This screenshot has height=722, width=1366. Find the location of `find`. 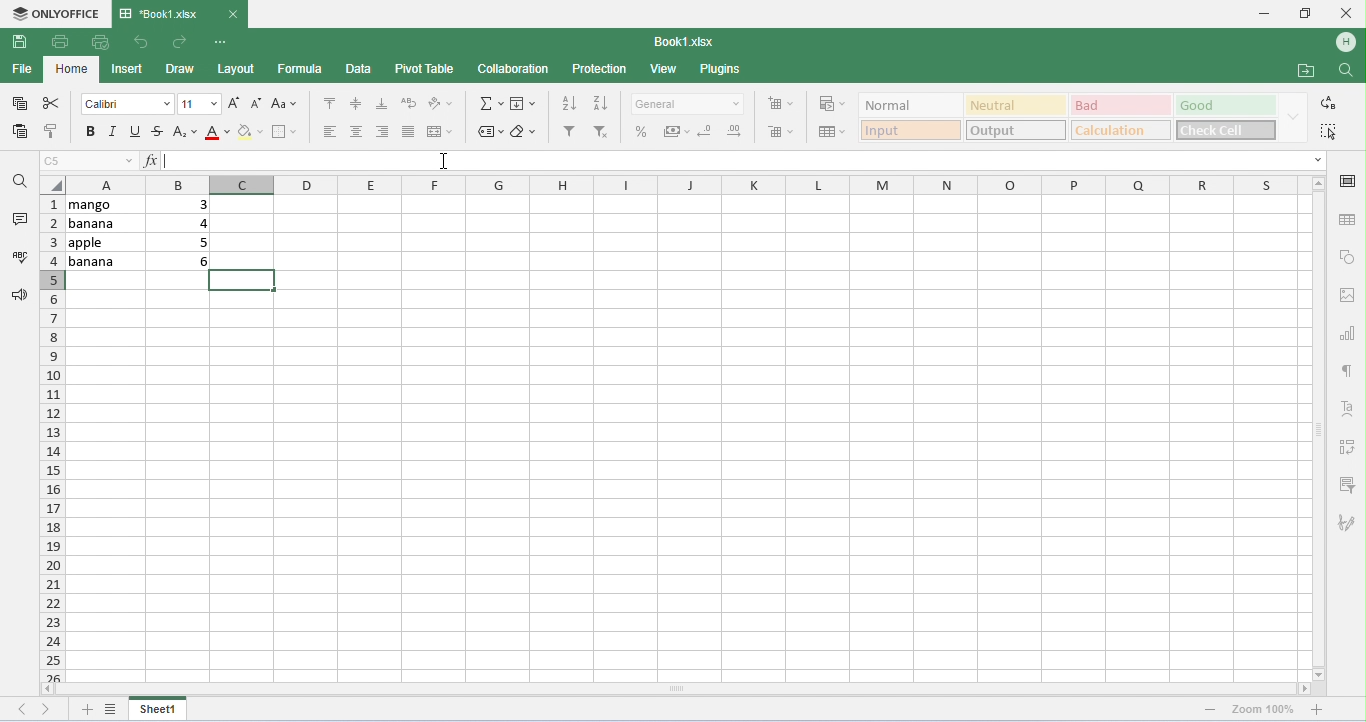

find is located at coordinates (1345, 69).